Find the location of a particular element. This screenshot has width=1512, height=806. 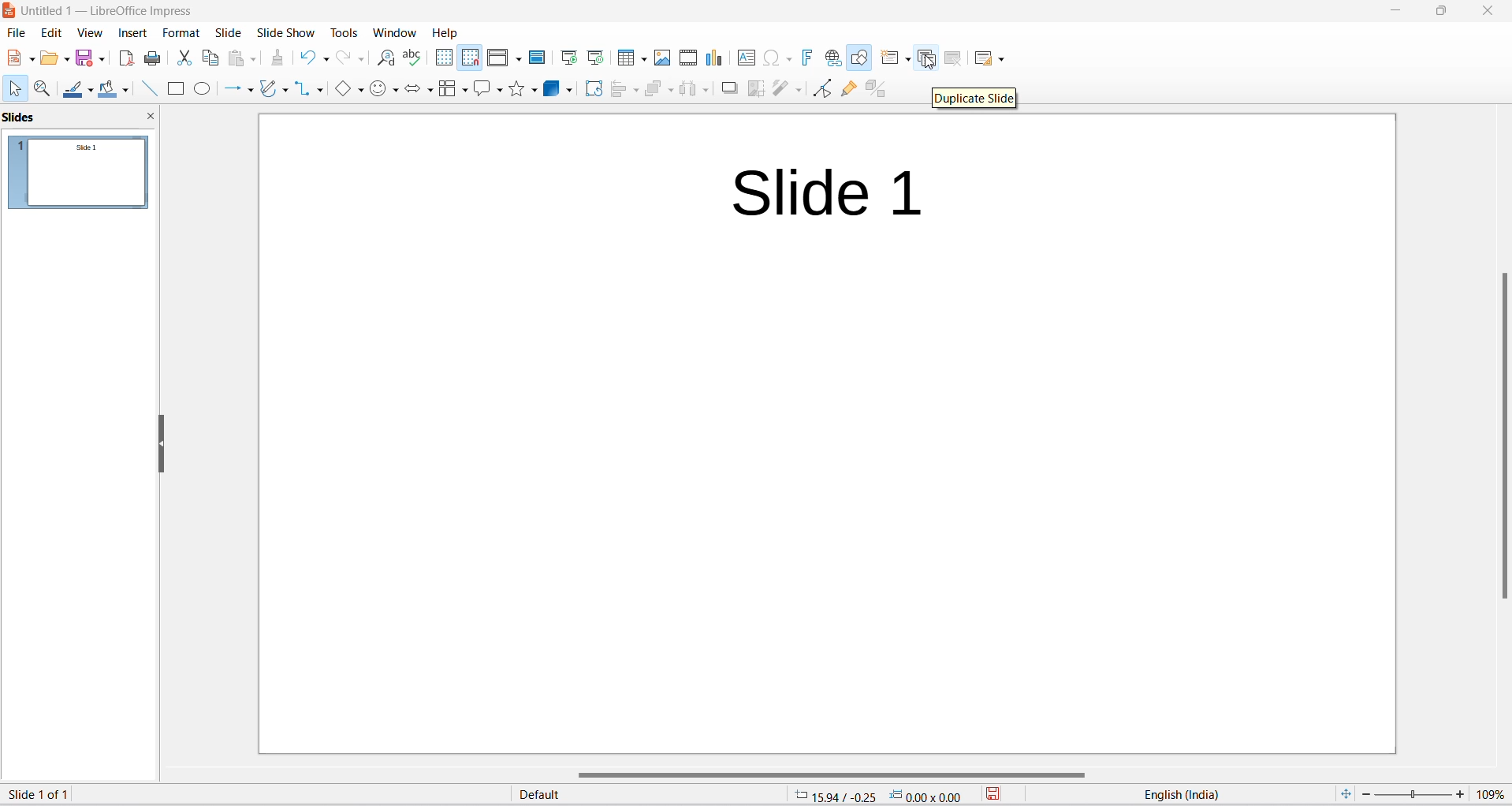

insert is located at coordinates (131, 32).